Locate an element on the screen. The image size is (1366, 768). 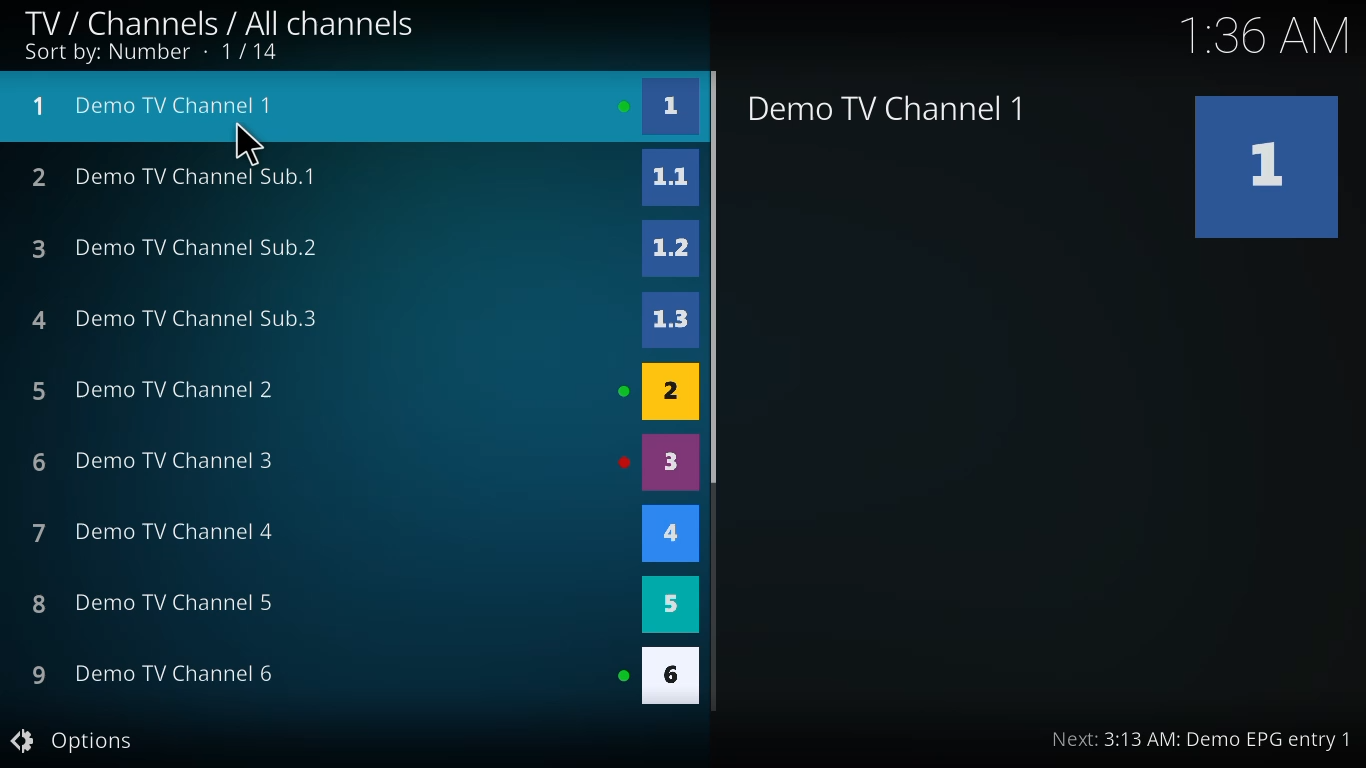
1.1 is located at coordinates (672, 176).